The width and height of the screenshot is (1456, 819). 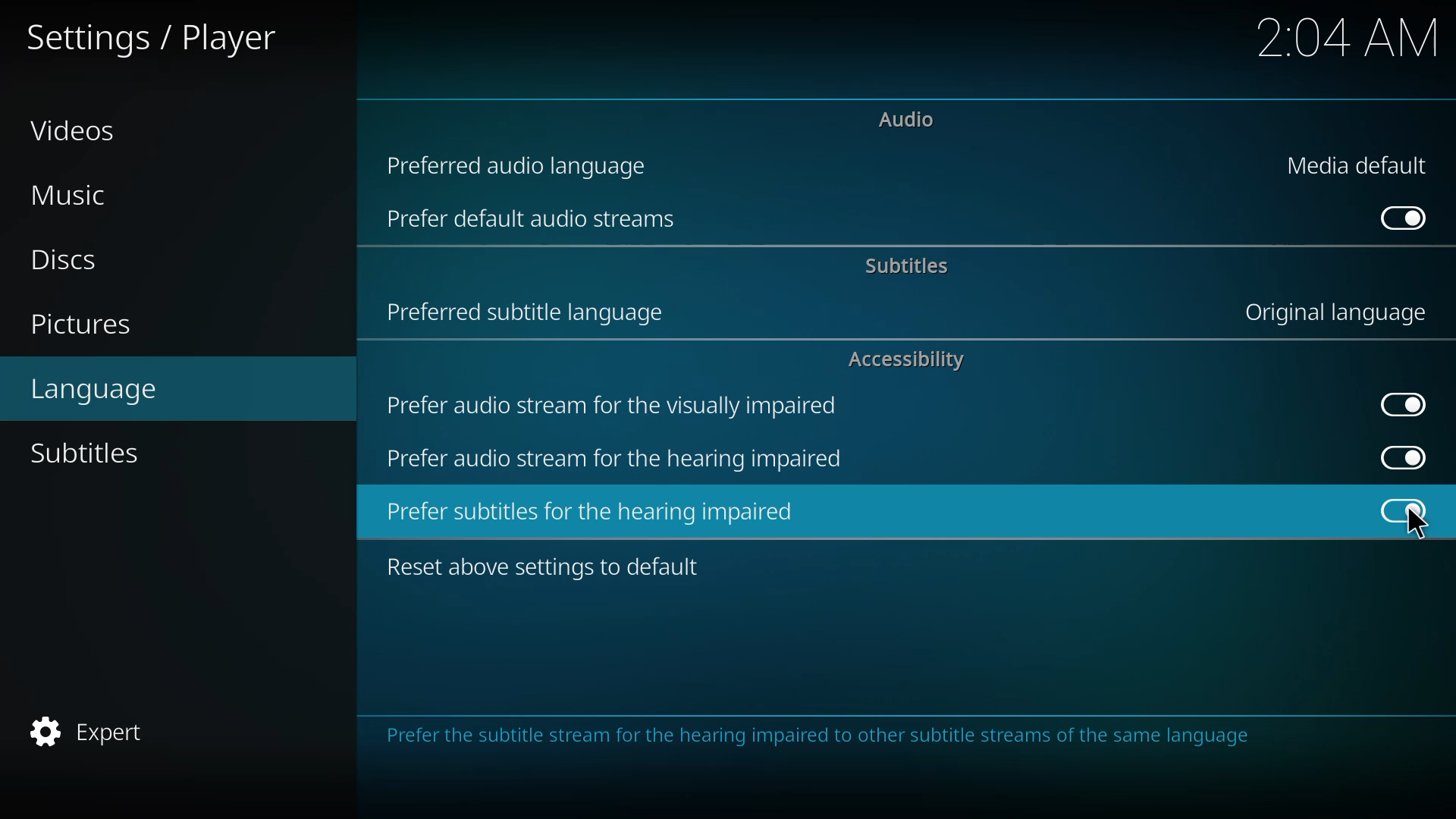 I want to click on enabled, so click(x=1407, y=217).